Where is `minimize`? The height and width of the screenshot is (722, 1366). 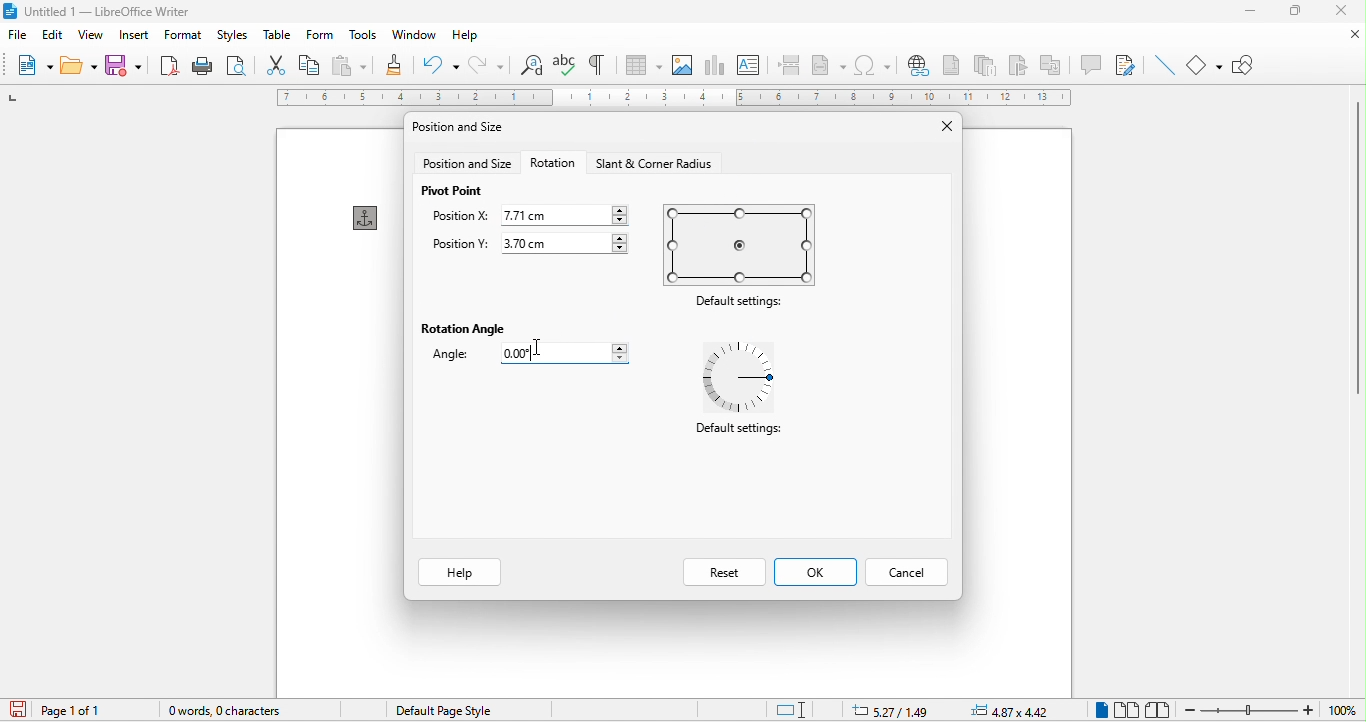 minimize is located at coordinates (1250, 11).